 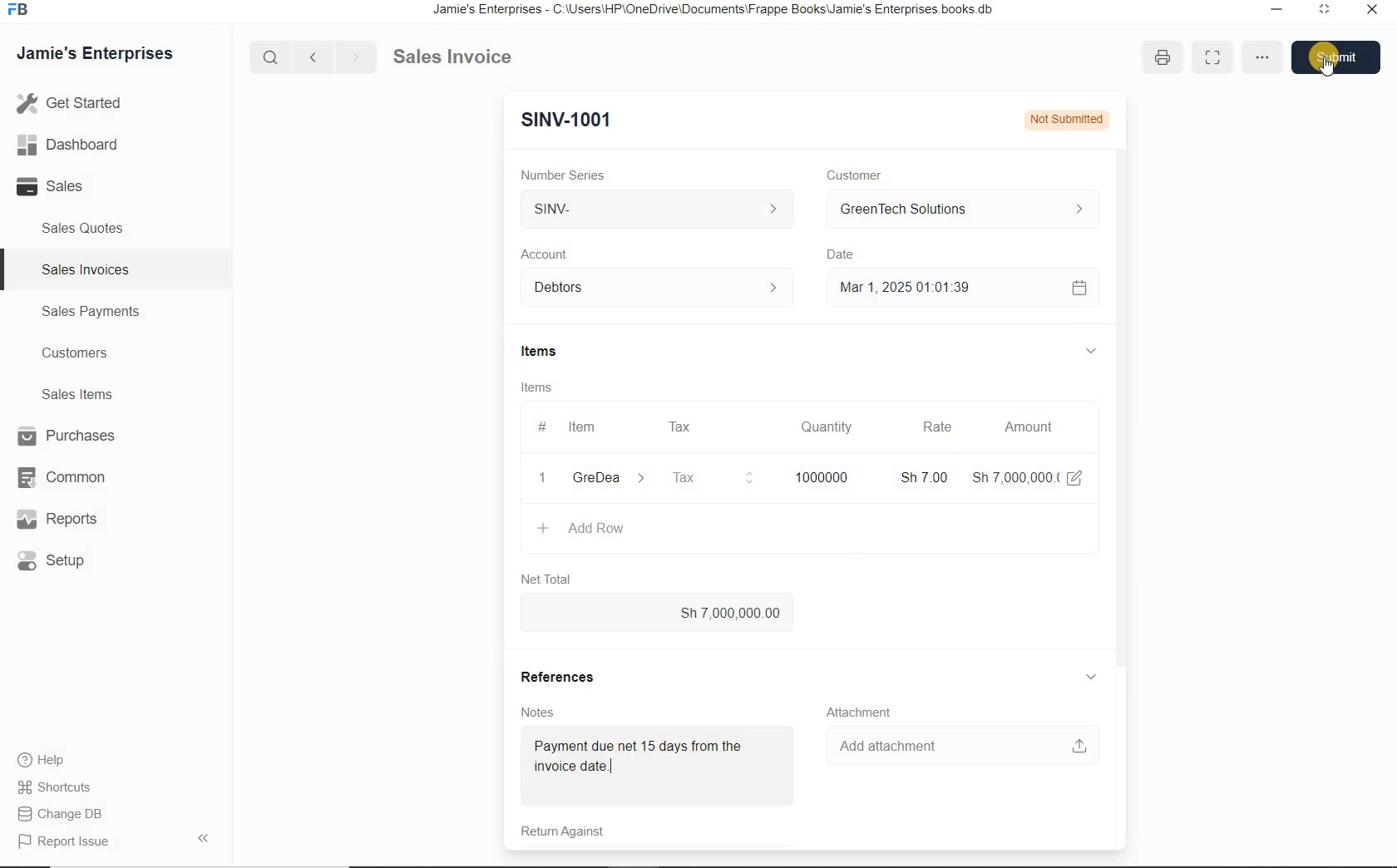 I want to click on Get Started, so click(x=70, y=105).